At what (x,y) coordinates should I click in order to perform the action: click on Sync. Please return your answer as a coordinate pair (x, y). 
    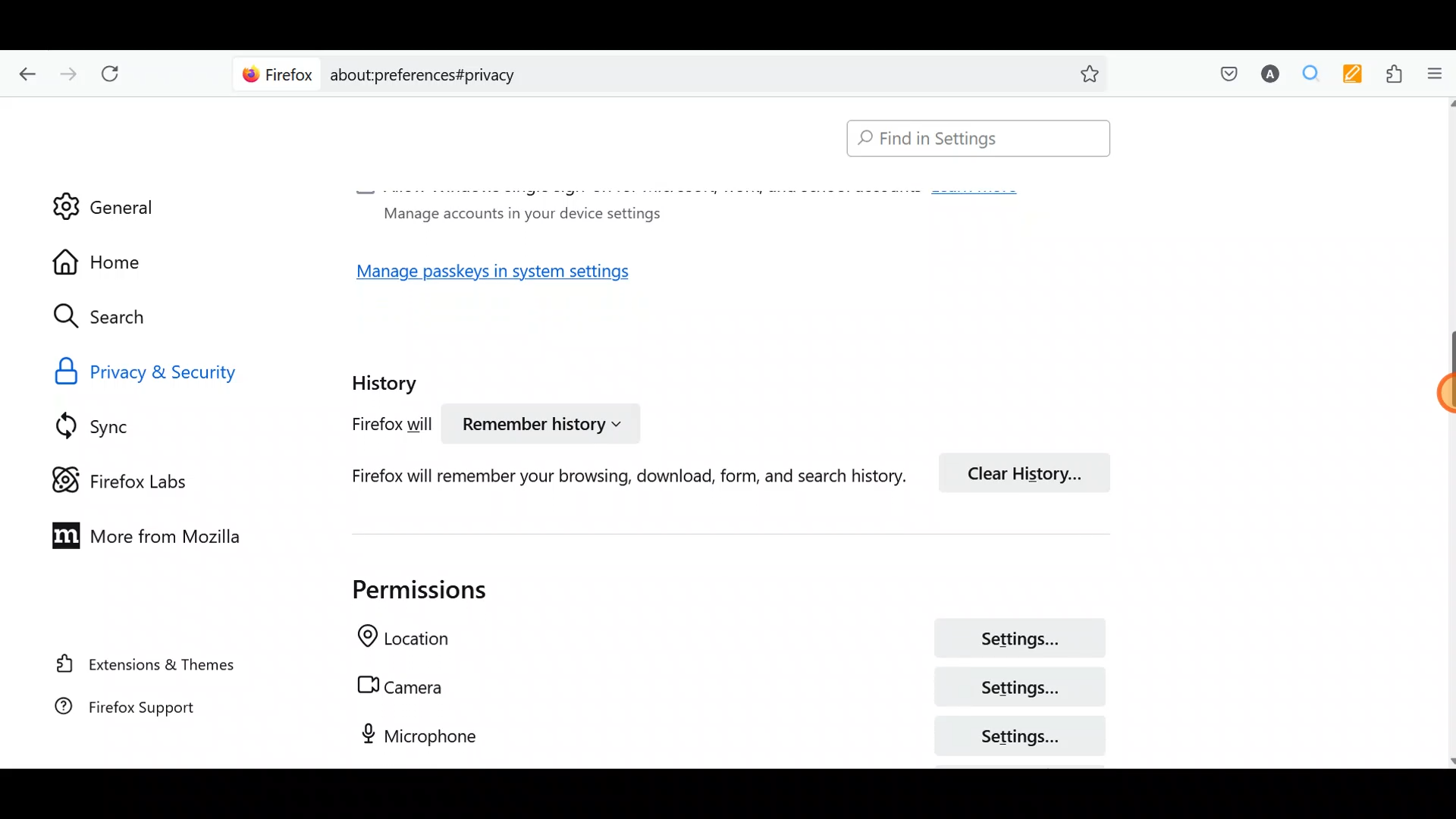
    Looking at the image, I should click on (113, 425).